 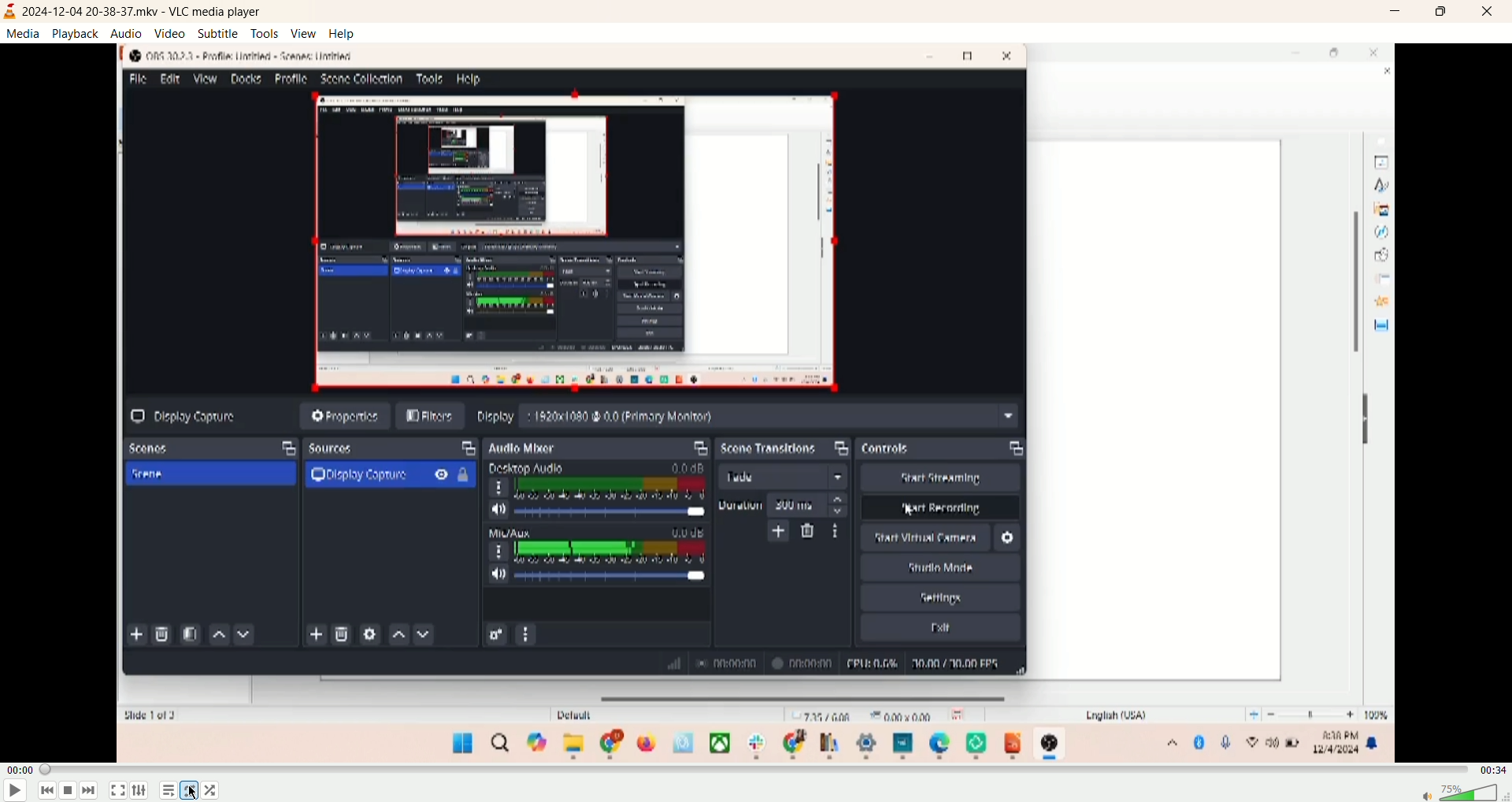 What do you see at coordinates (75, 32) in the screenshot?
I see `playback` at bounding box center [75, 32].